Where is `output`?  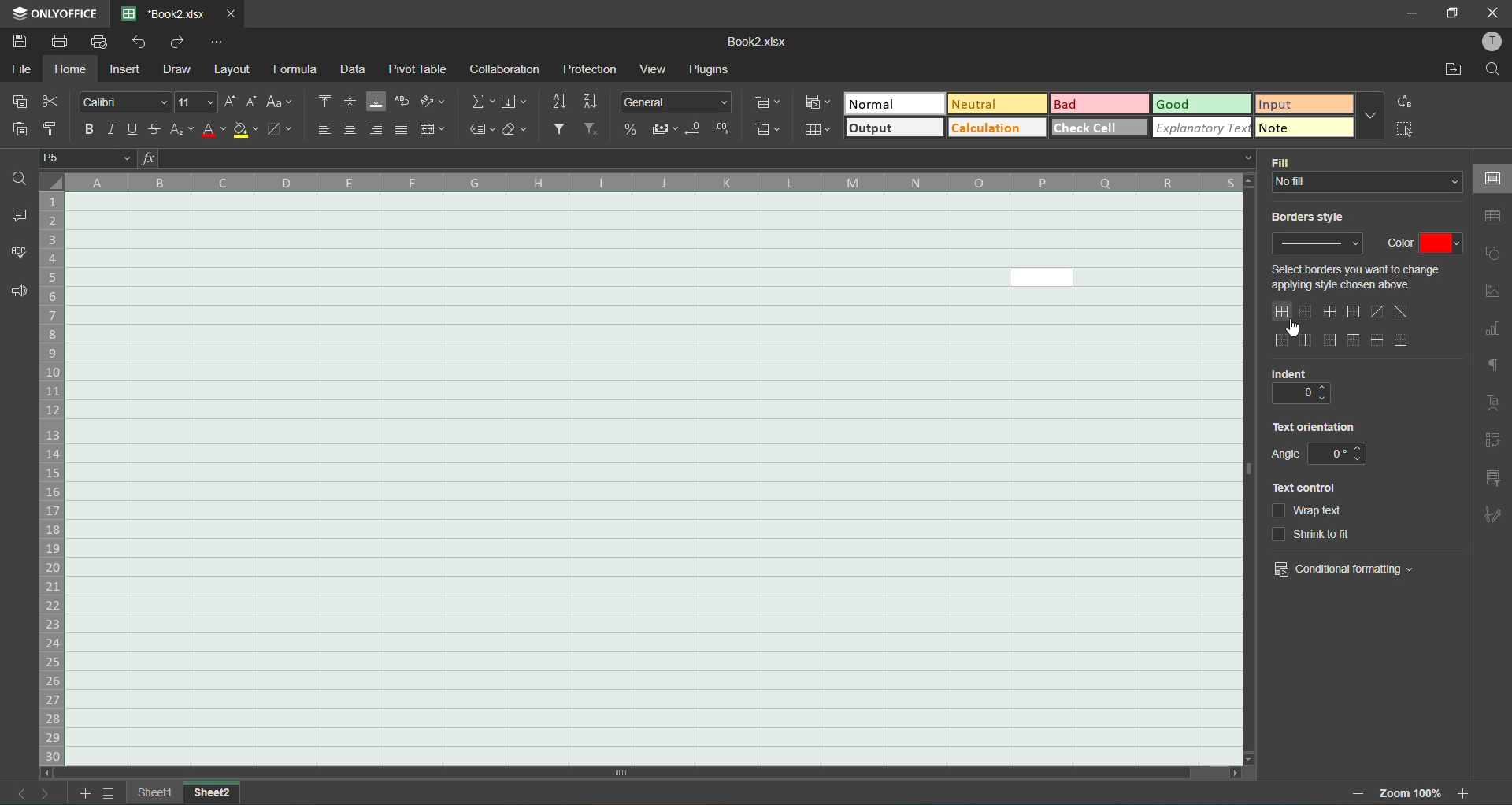 output is located at coordinates (892, 129).